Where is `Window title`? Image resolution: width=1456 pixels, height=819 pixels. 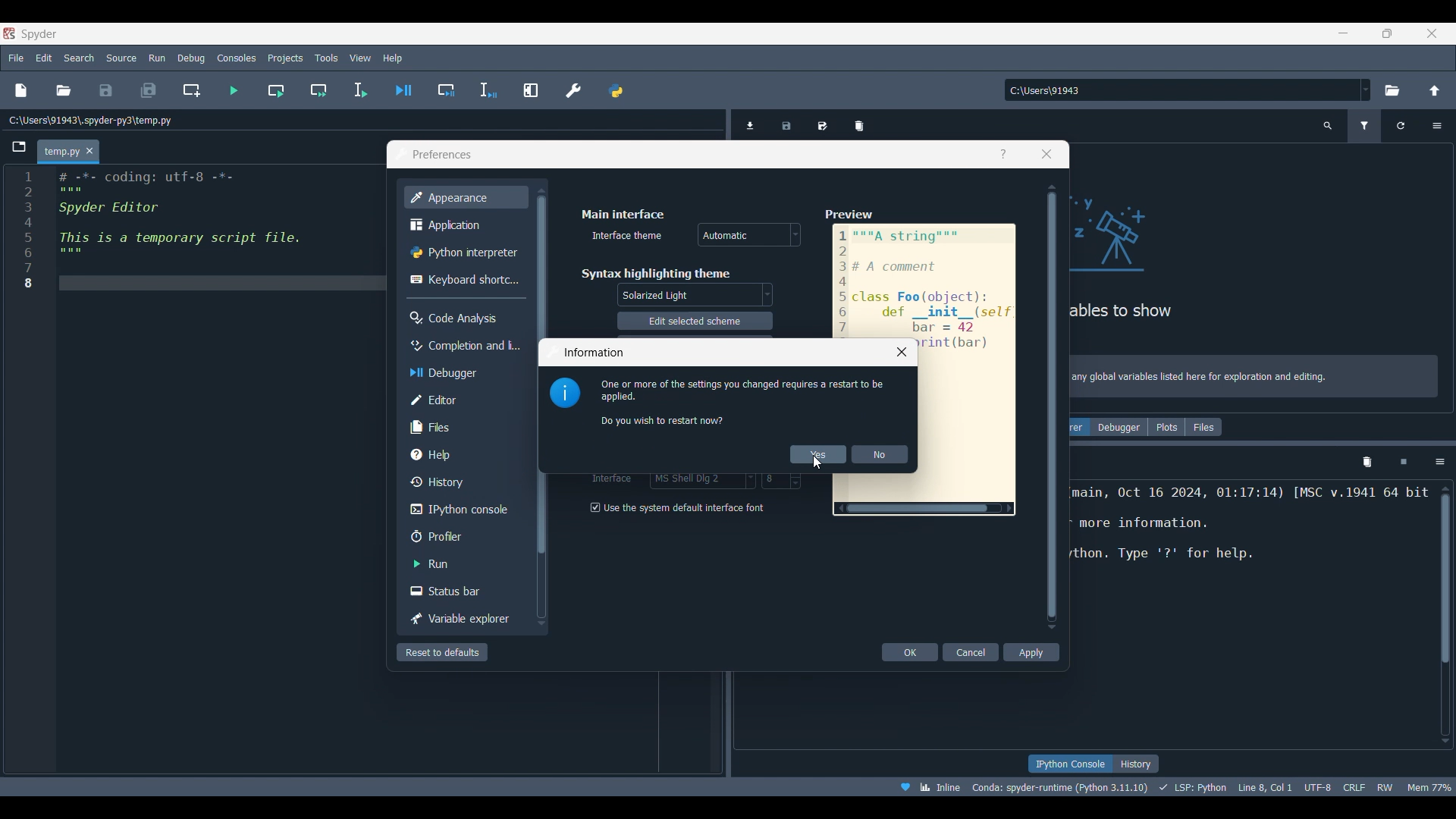
Window title is located at coordinates (442, 155).